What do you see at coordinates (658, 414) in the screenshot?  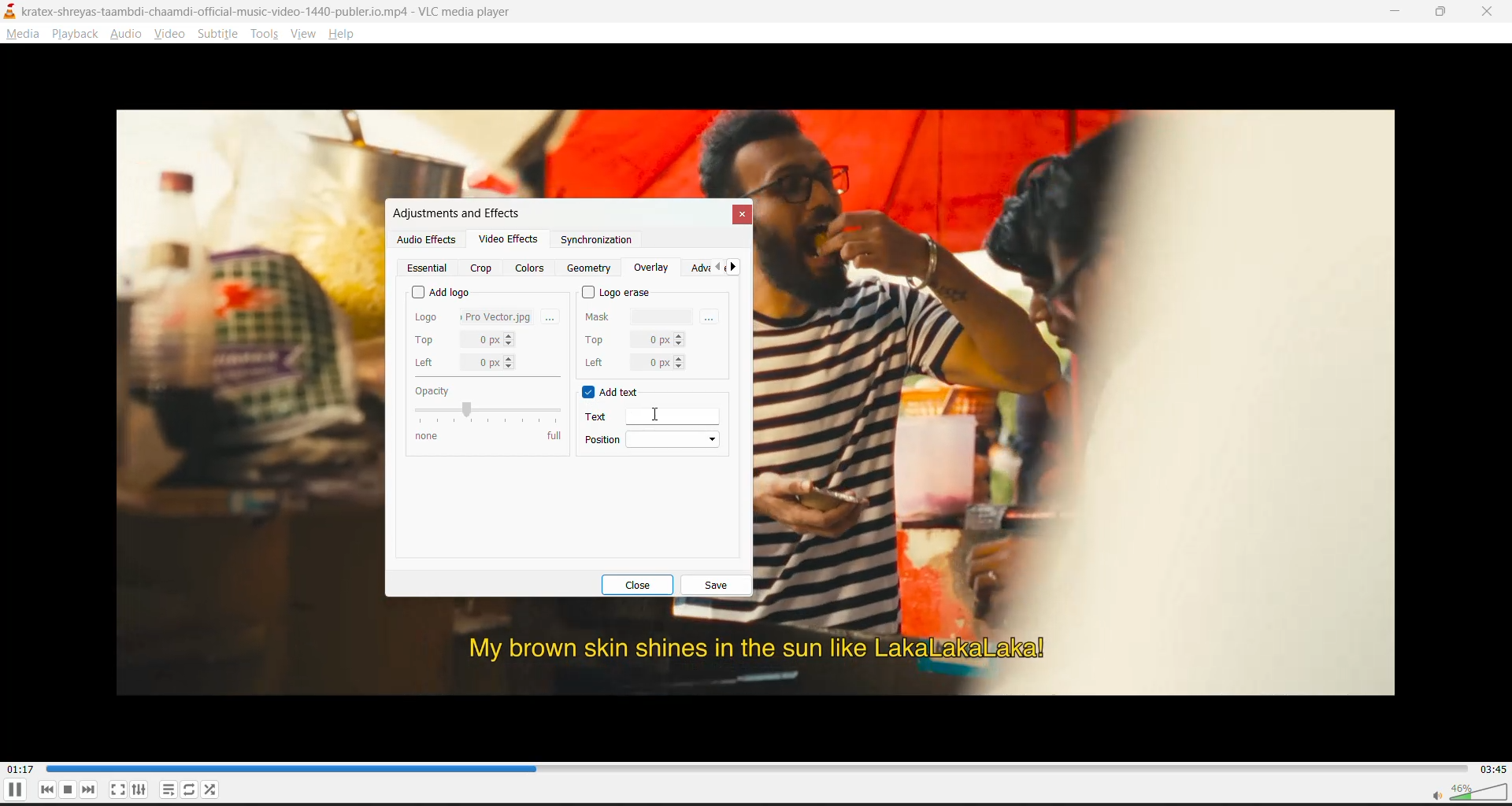 I see `cursor` at bounding box center [658, 414].